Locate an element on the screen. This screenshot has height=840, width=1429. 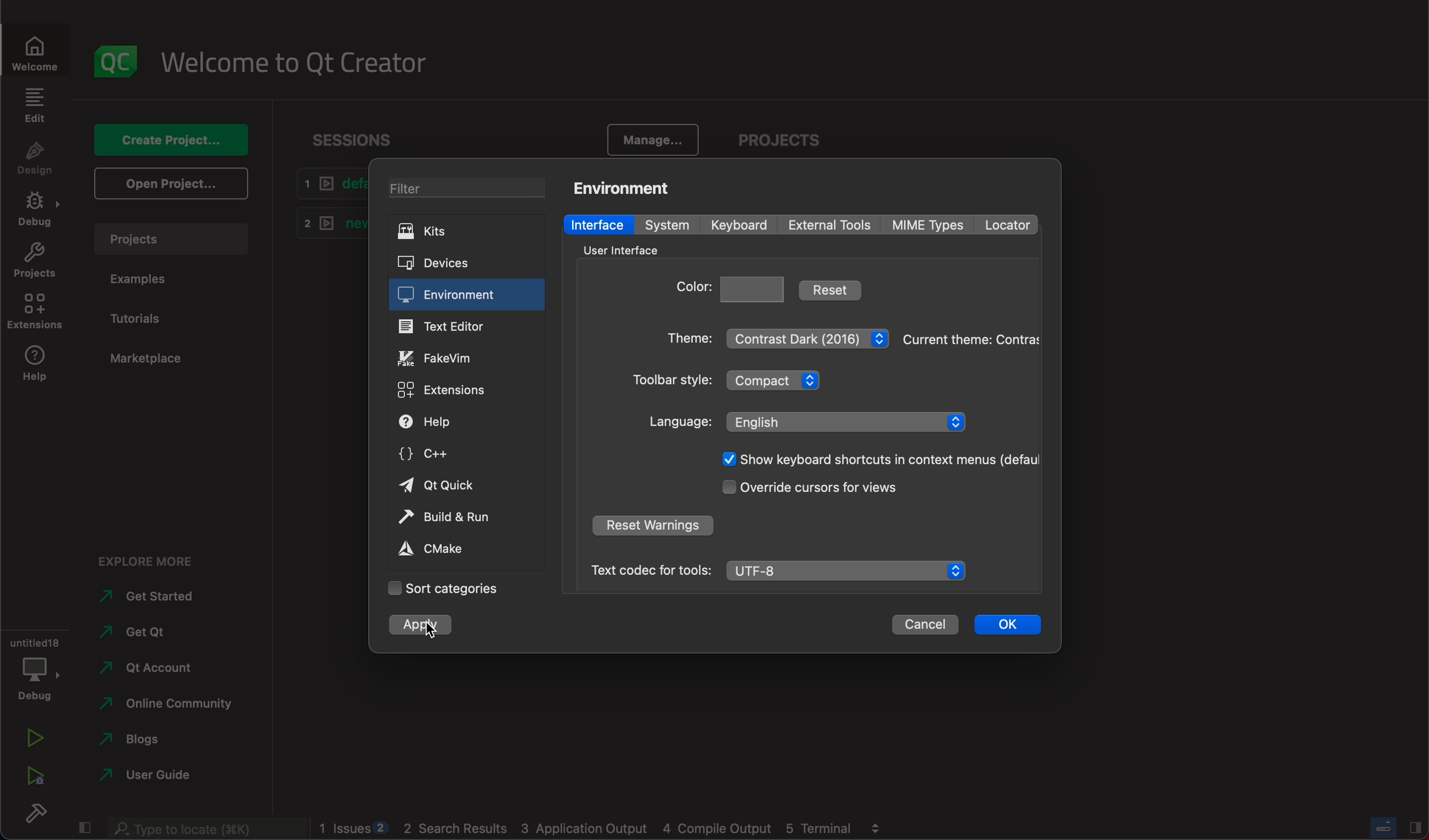
environment is located at coordinates (627, 186).